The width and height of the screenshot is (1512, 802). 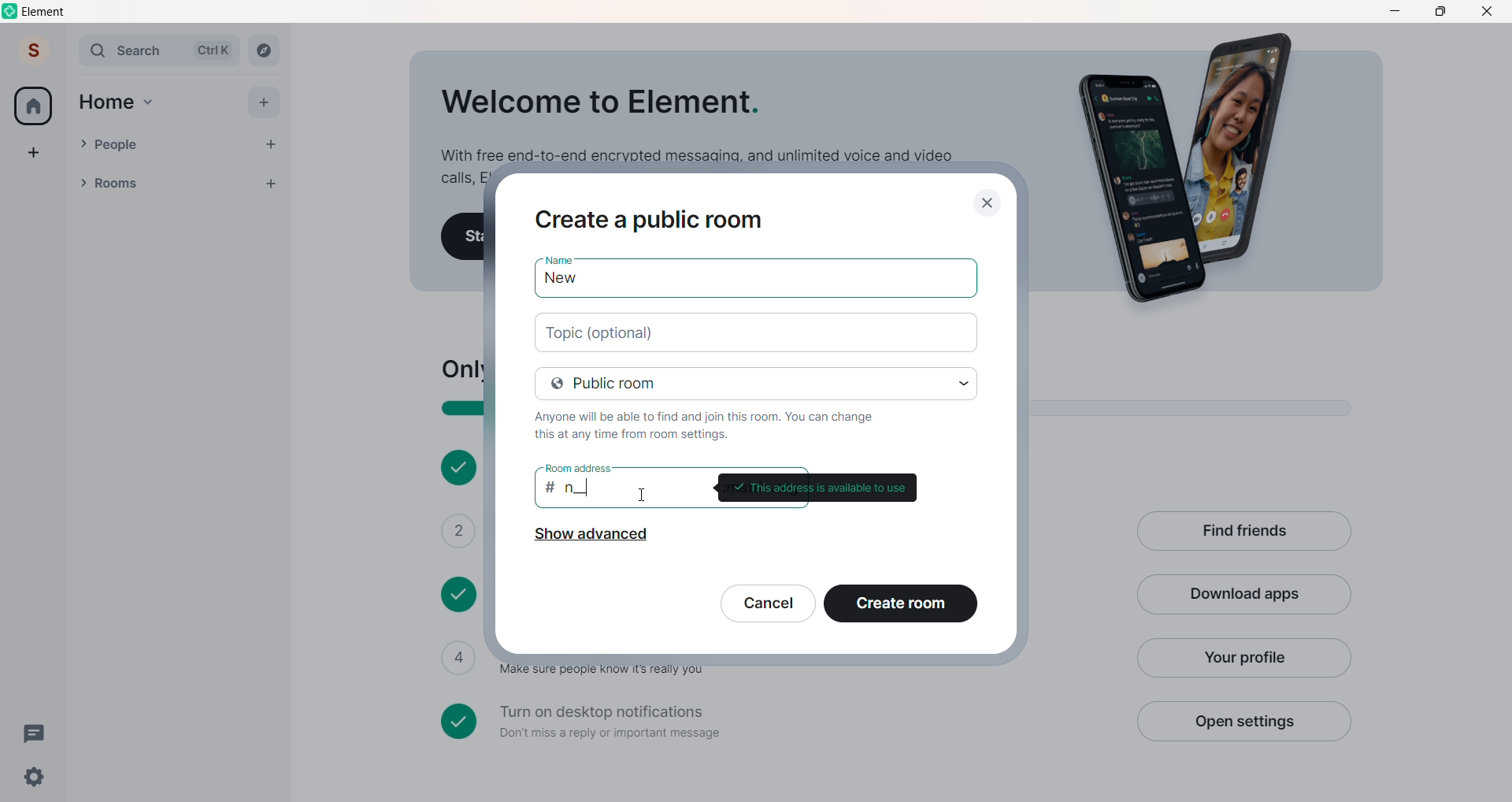 What do you see at coordinates (558, 256) in the screenshot?
I see ` Name` at bounding box center [558, 256].